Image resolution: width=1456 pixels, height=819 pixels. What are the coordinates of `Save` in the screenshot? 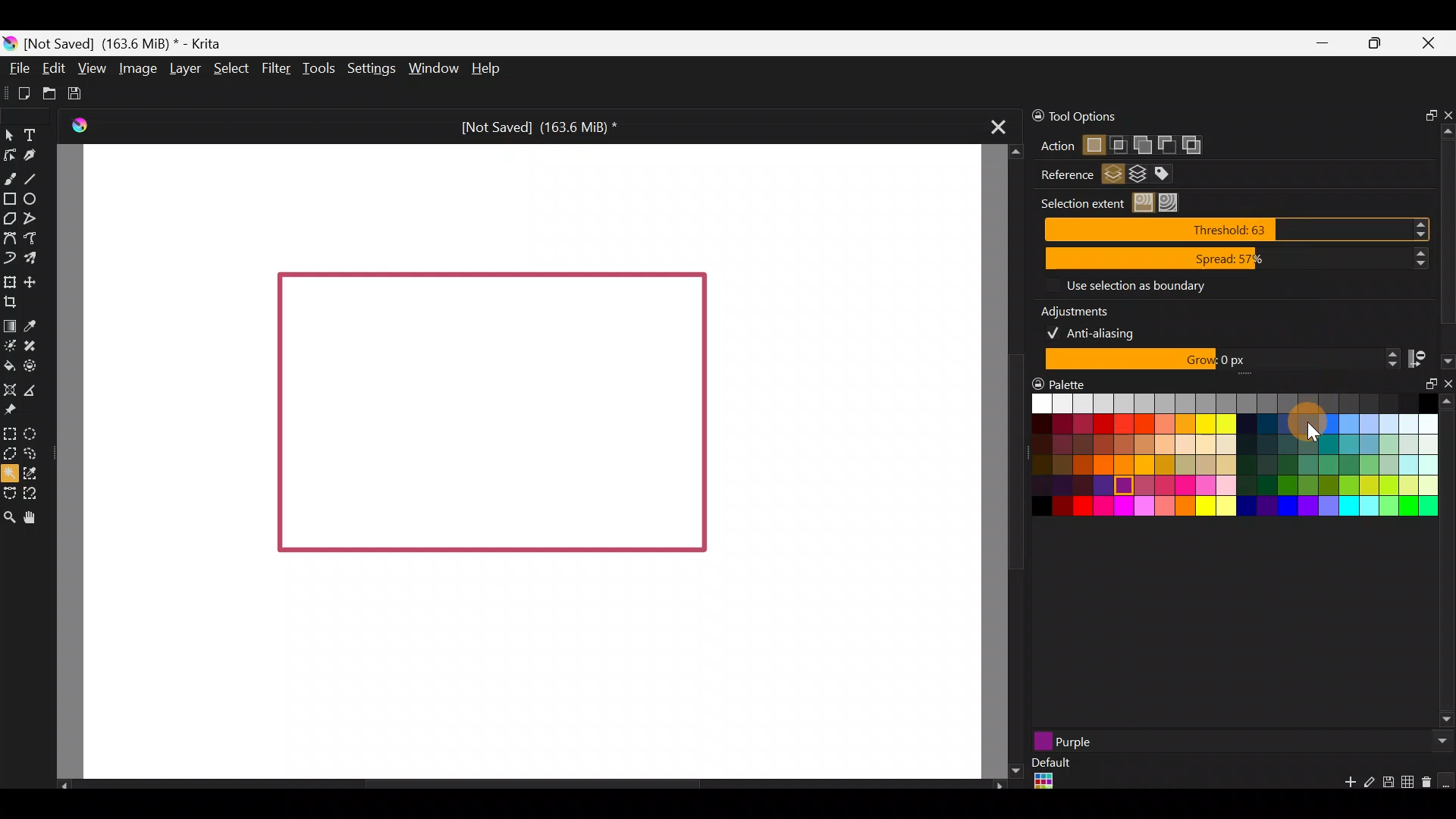 It's located at (80, 94).